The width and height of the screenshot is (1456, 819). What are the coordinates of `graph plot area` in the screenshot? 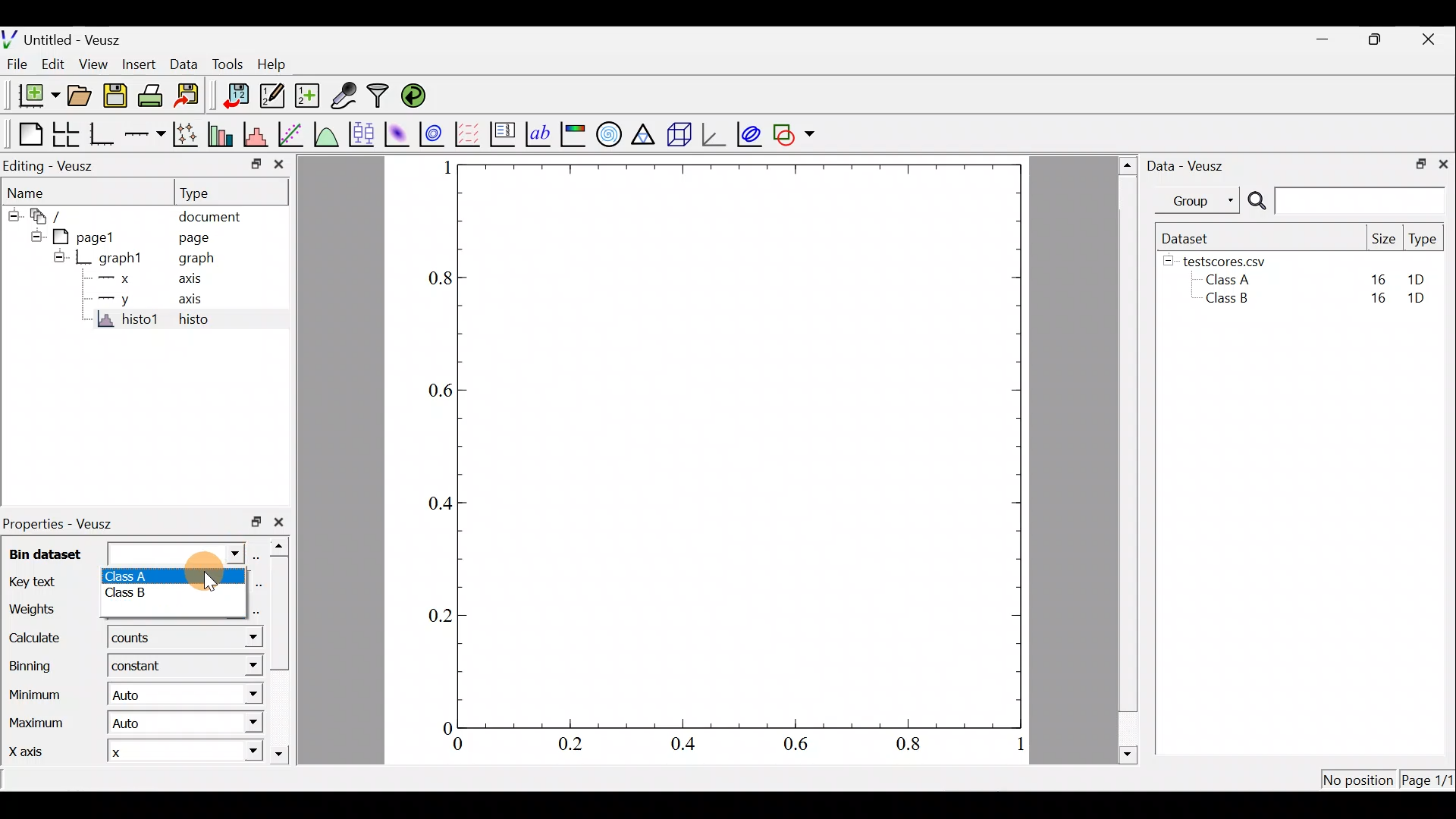 It's located at (755, 444).